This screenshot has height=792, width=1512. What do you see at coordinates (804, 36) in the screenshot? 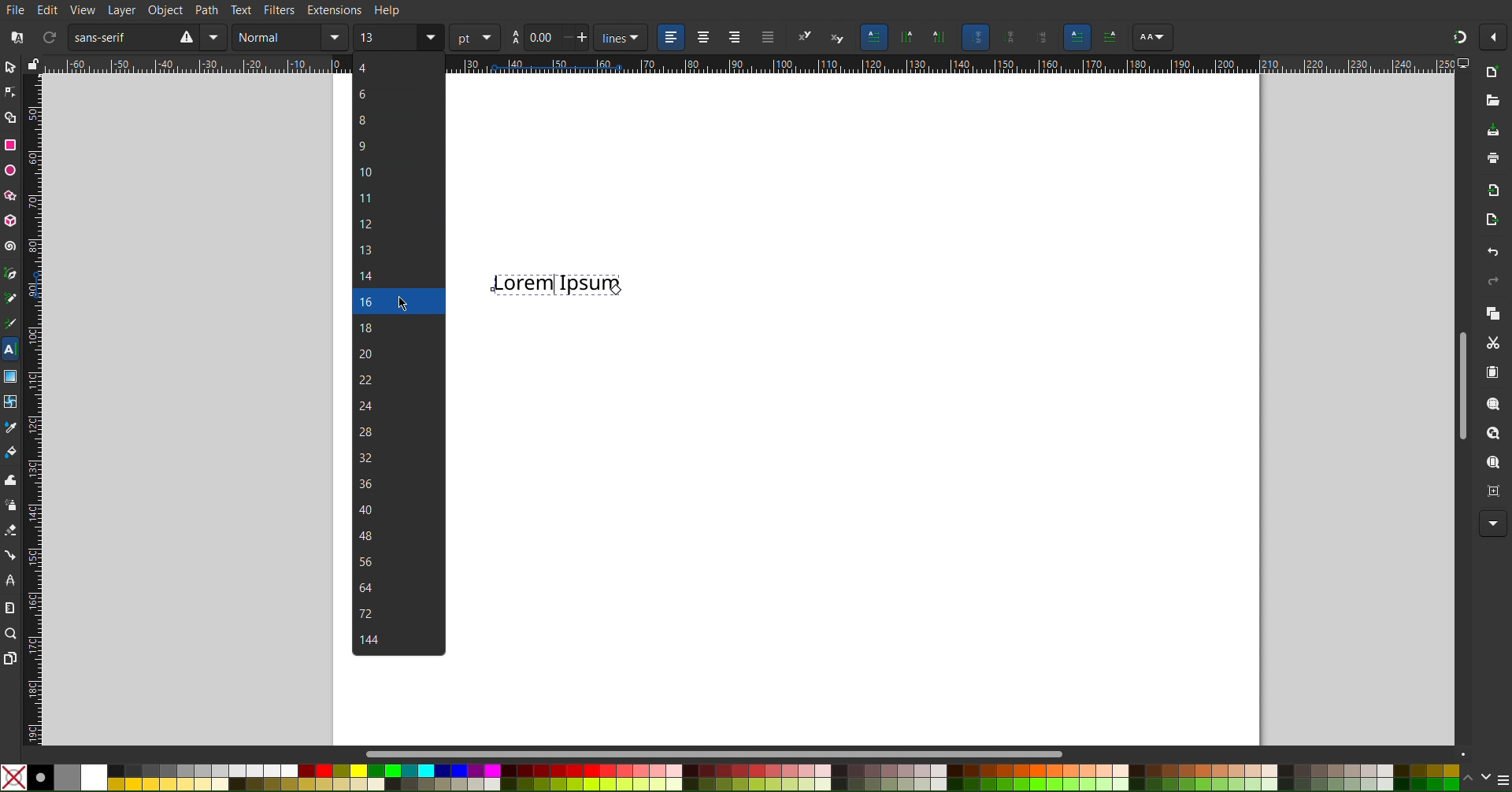
I see `superscript` at bounding box center [804, 36].